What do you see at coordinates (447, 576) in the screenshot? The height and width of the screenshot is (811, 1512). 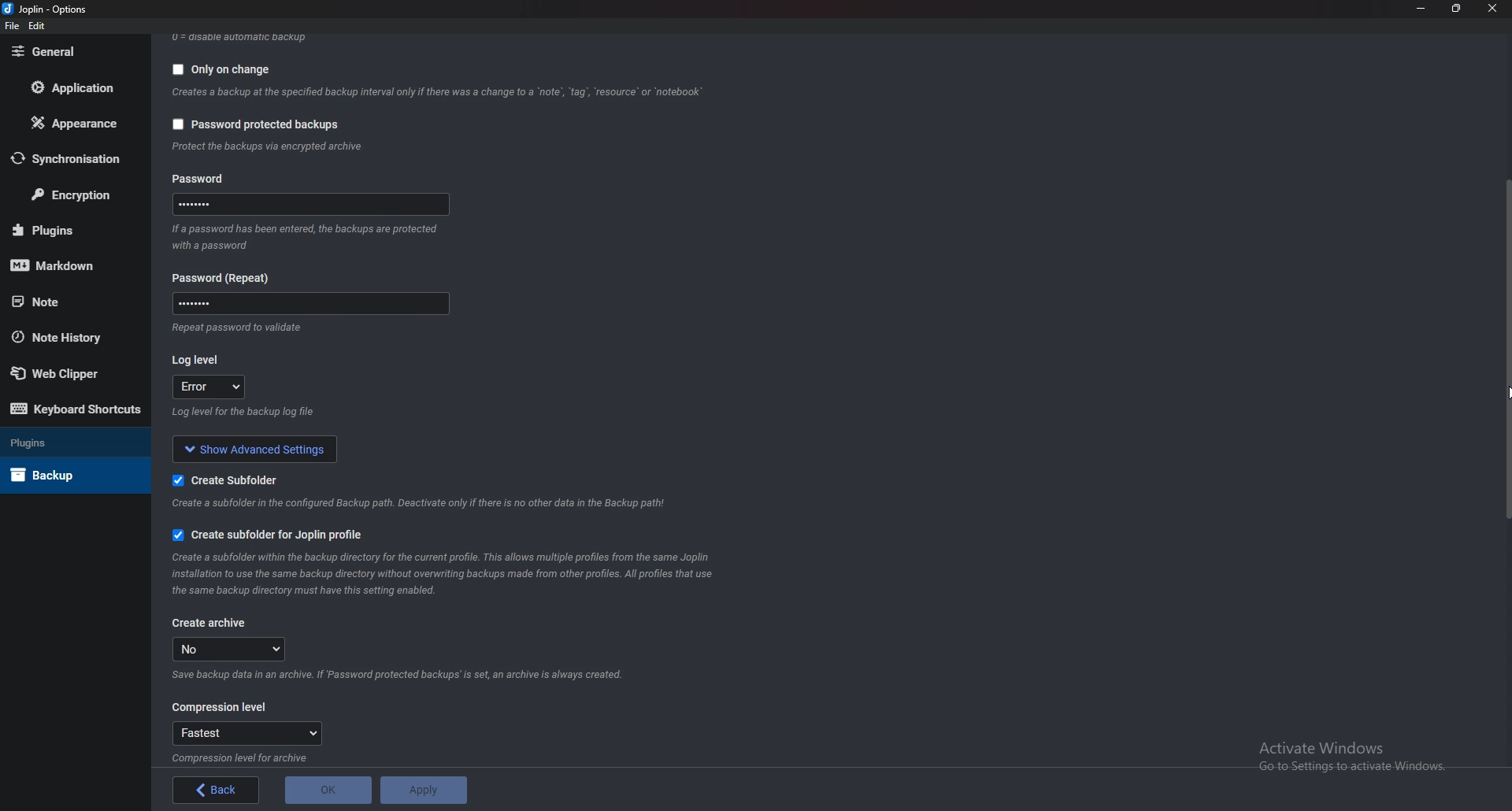 I see `Info on subfolder for joplin profile` at bounding box center [447, 576].